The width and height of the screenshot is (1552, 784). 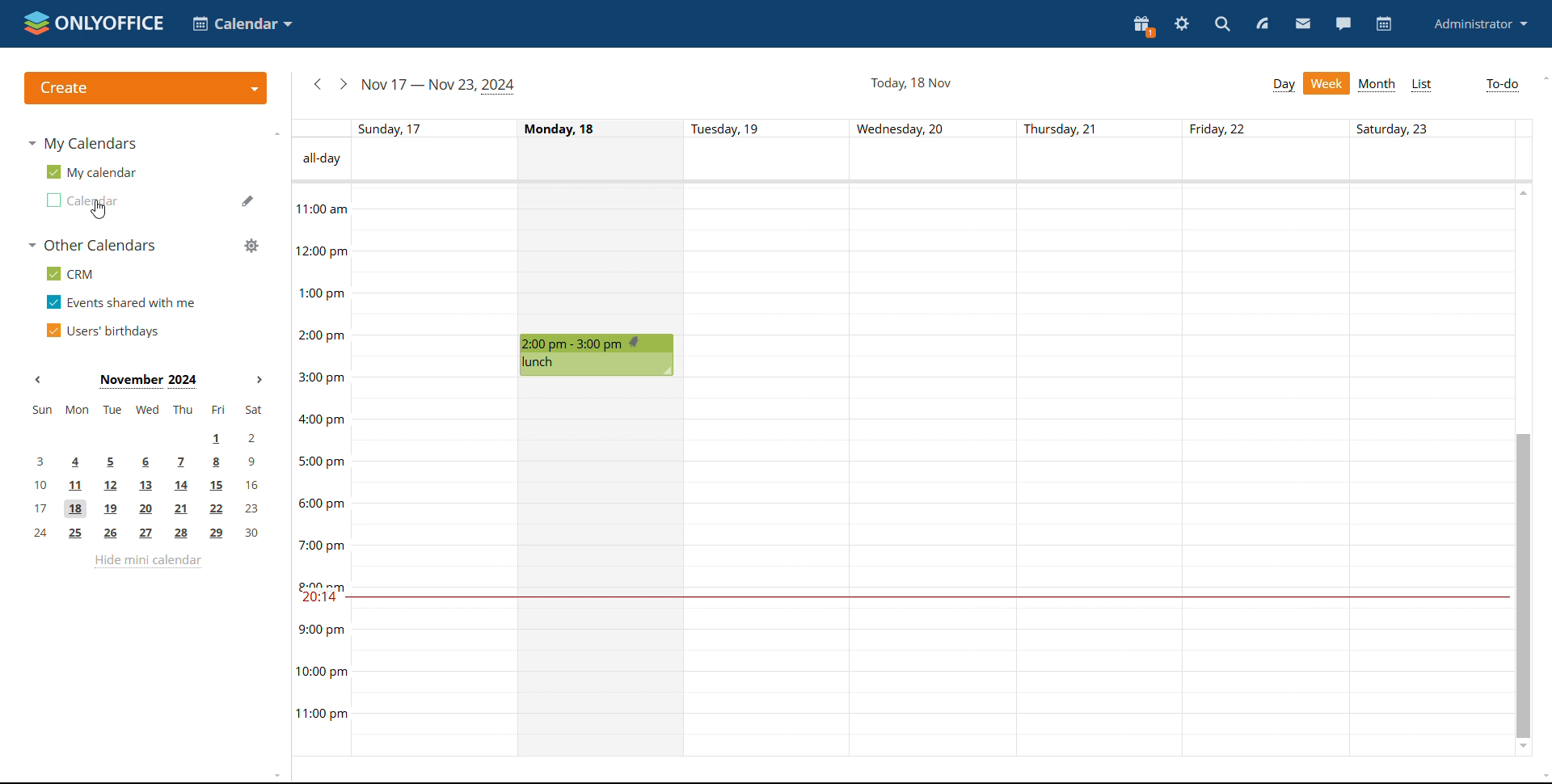 I want to click on calendar, so click(x=1385, y=24).